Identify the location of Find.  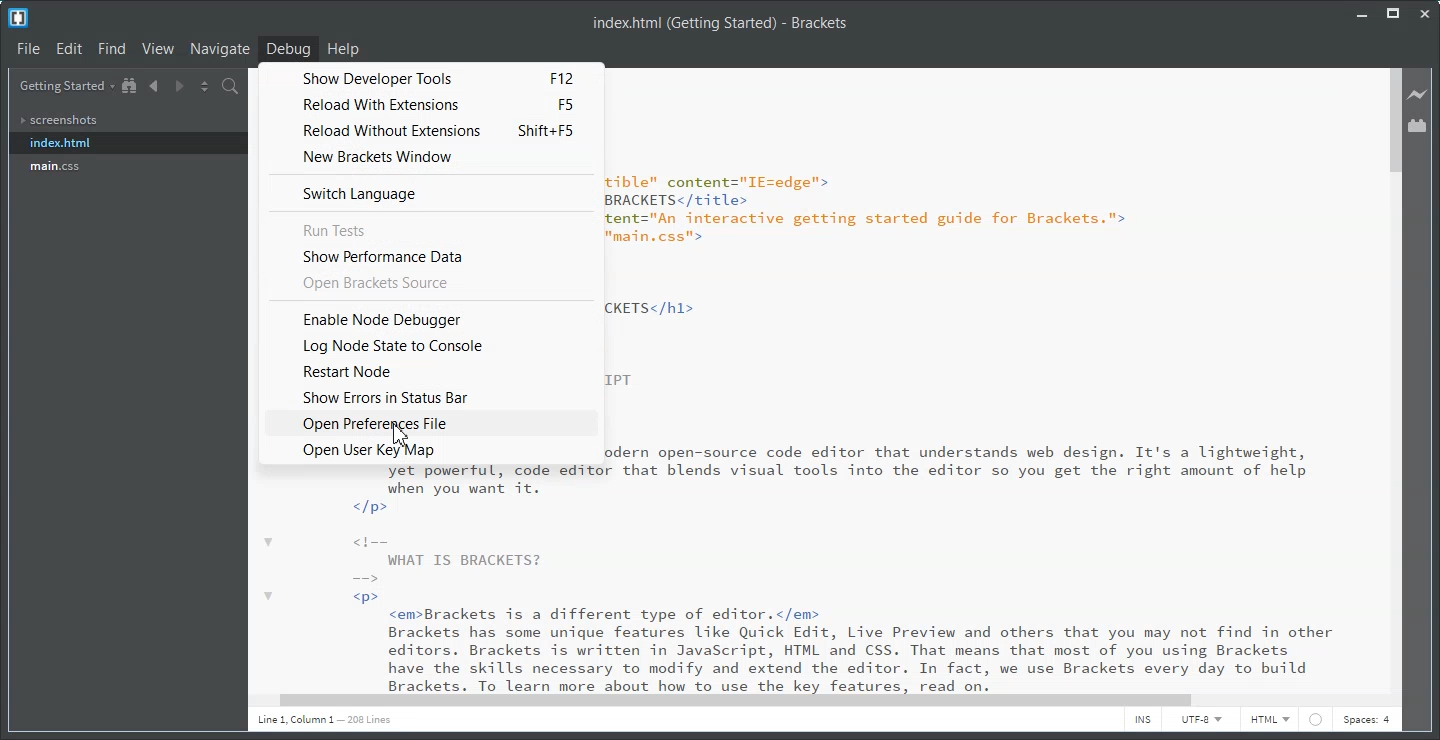
(111, 49).